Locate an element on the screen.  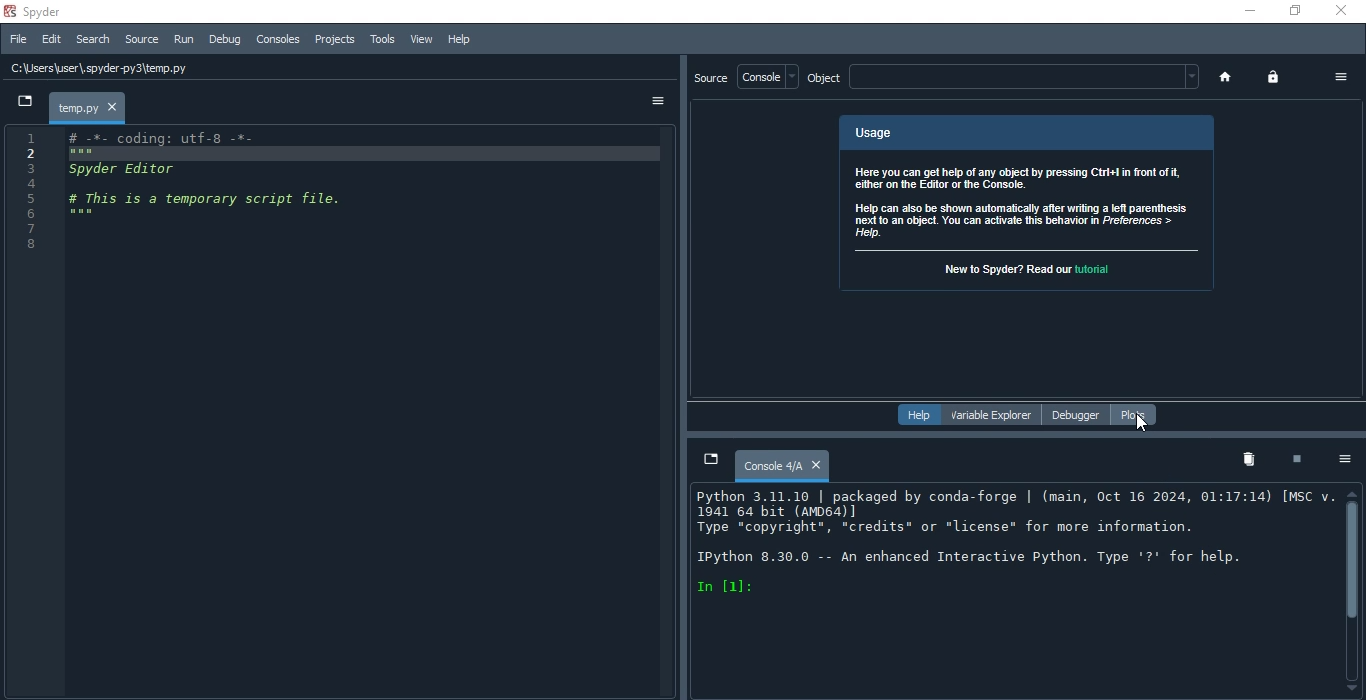
Tools is located at coordinates (381, 42).